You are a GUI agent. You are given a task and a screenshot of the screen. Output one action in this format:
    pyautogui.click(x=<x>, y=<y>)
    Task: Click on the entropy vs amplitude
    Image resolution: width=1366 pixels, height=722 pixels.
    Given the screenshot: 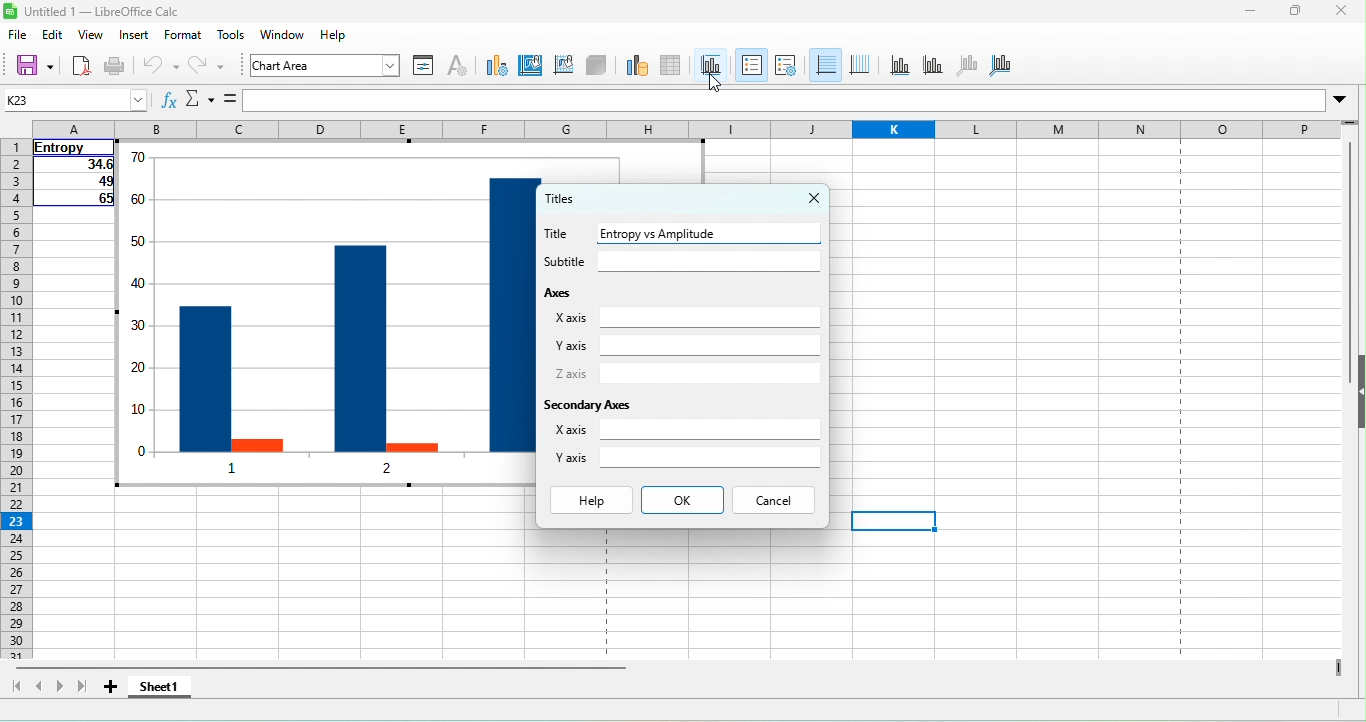 What is the action you would take?
    pyautogui.click(x=712, y=235)
    